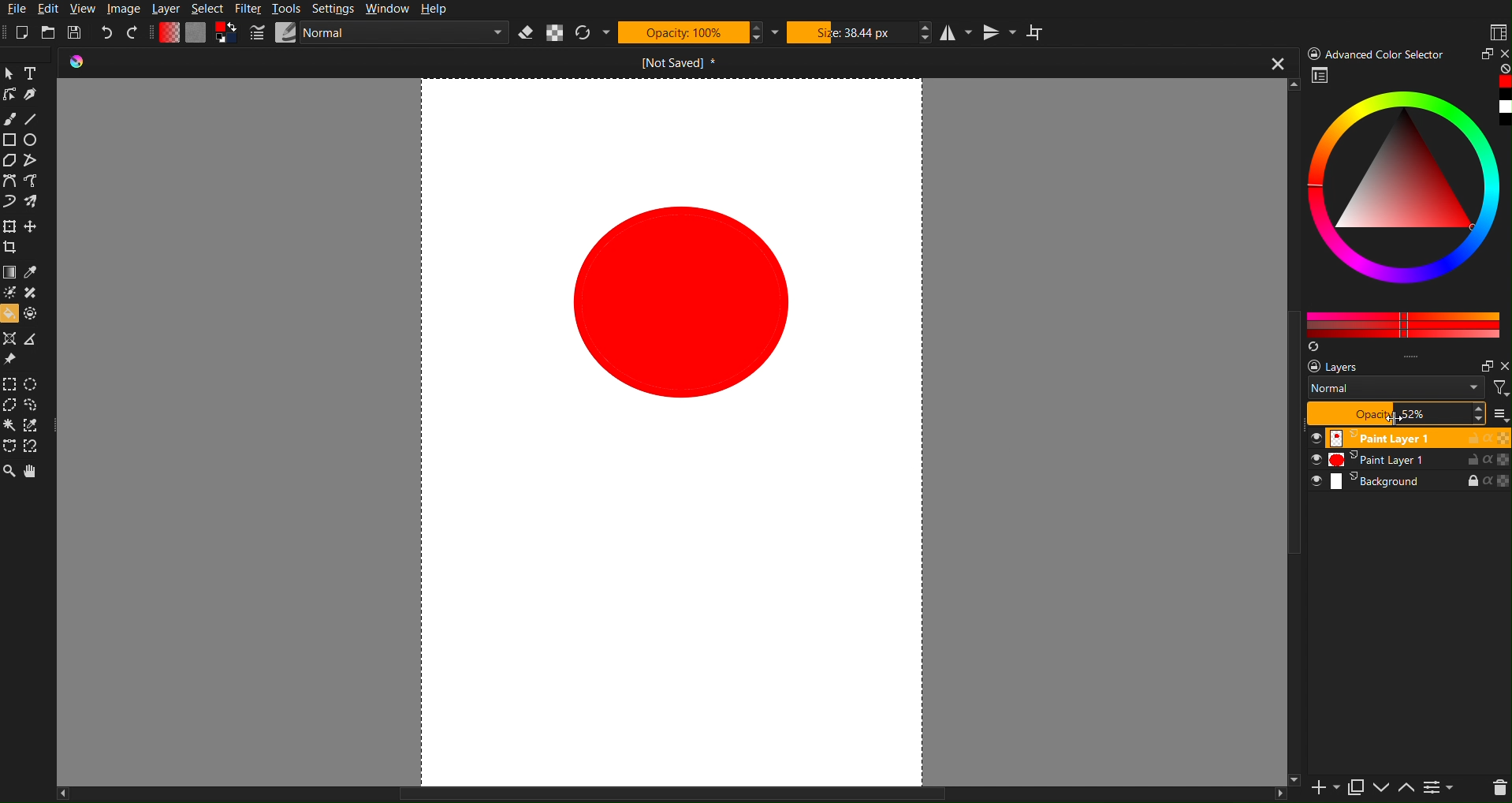  I want to click on Open Document, so click(659, 65).